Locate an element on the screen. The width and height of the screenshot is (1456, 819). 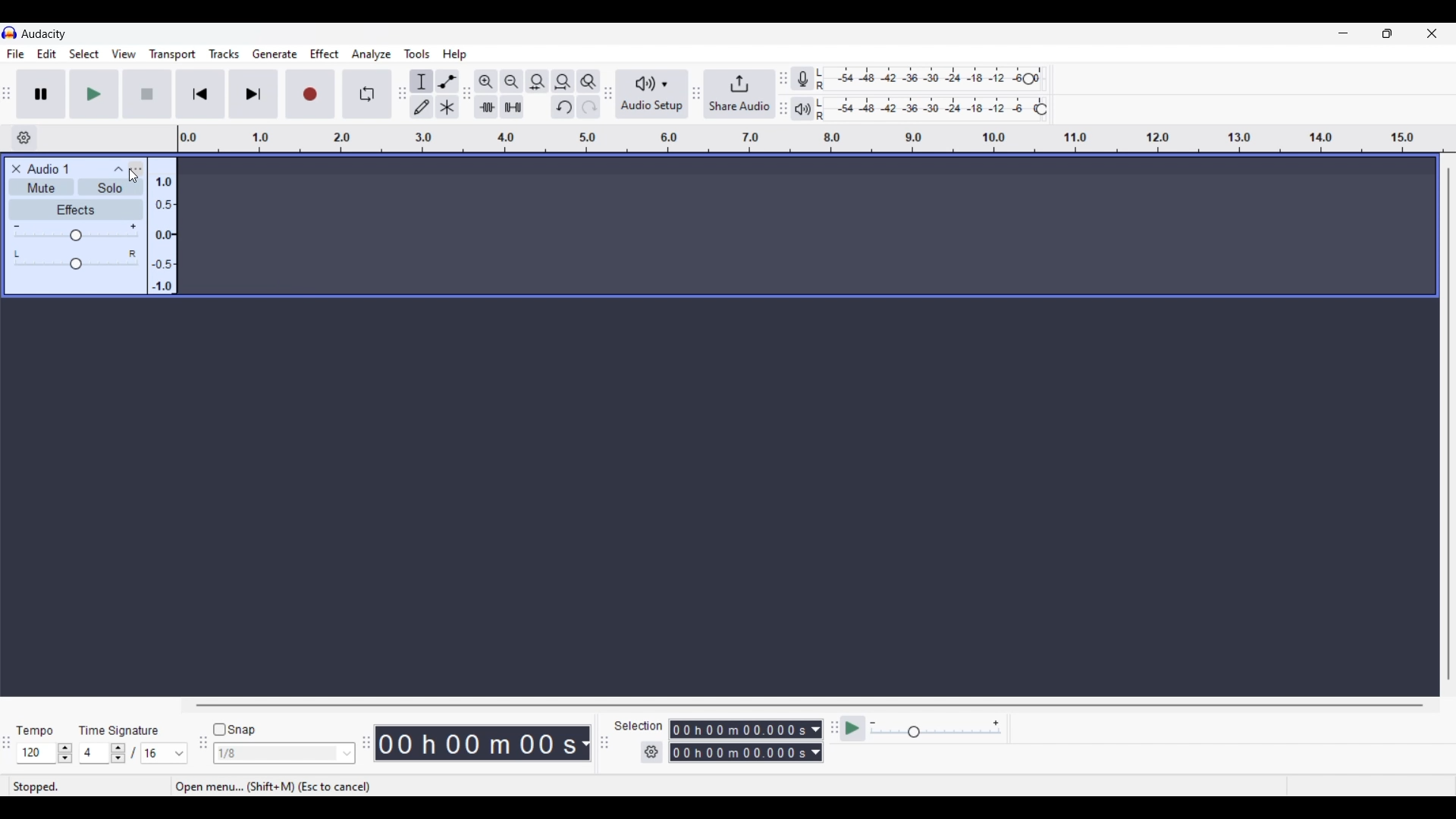
Recording level is located at coordinates (929, 80).